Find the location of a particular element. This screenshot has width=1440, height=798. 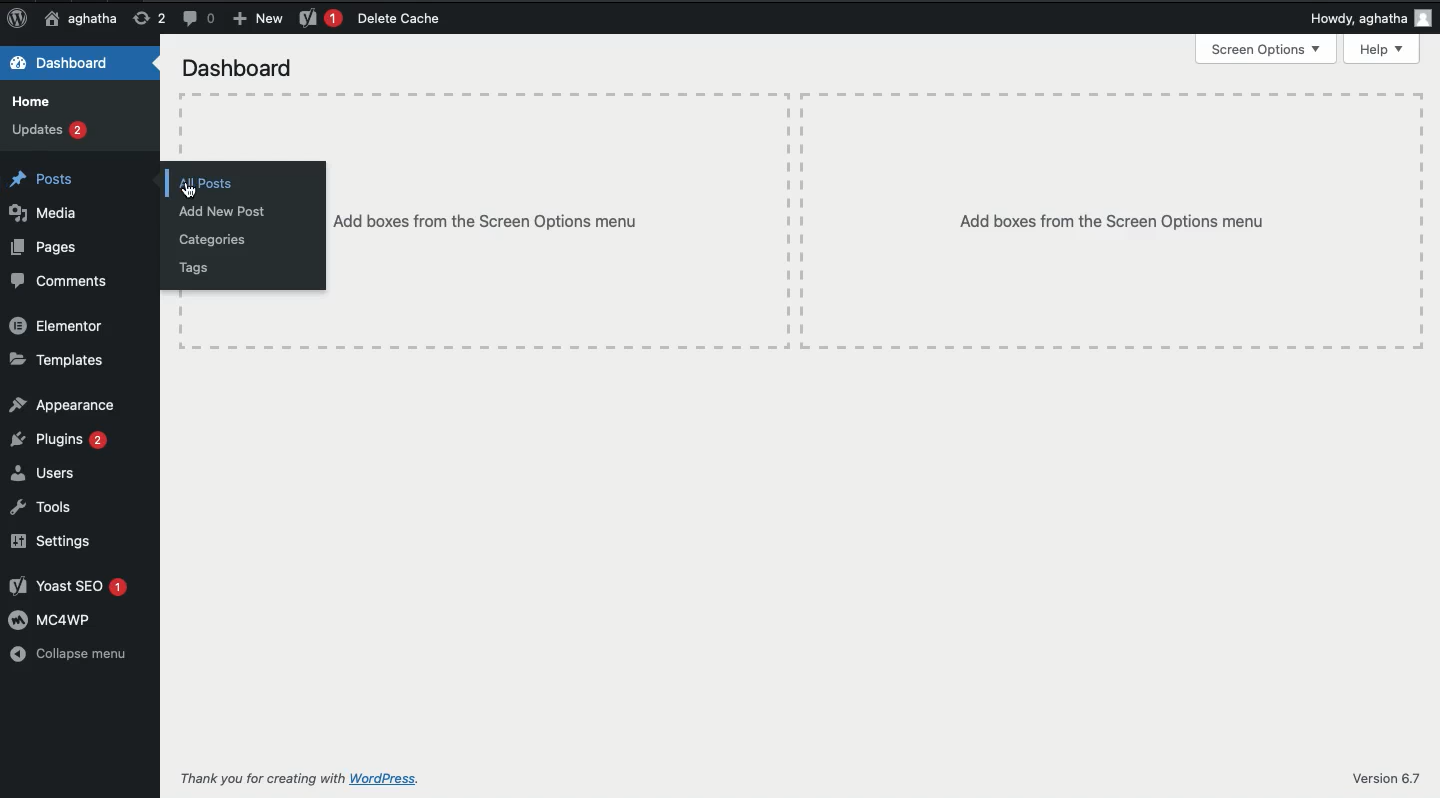

Categories is located at coordinates (216, 238).